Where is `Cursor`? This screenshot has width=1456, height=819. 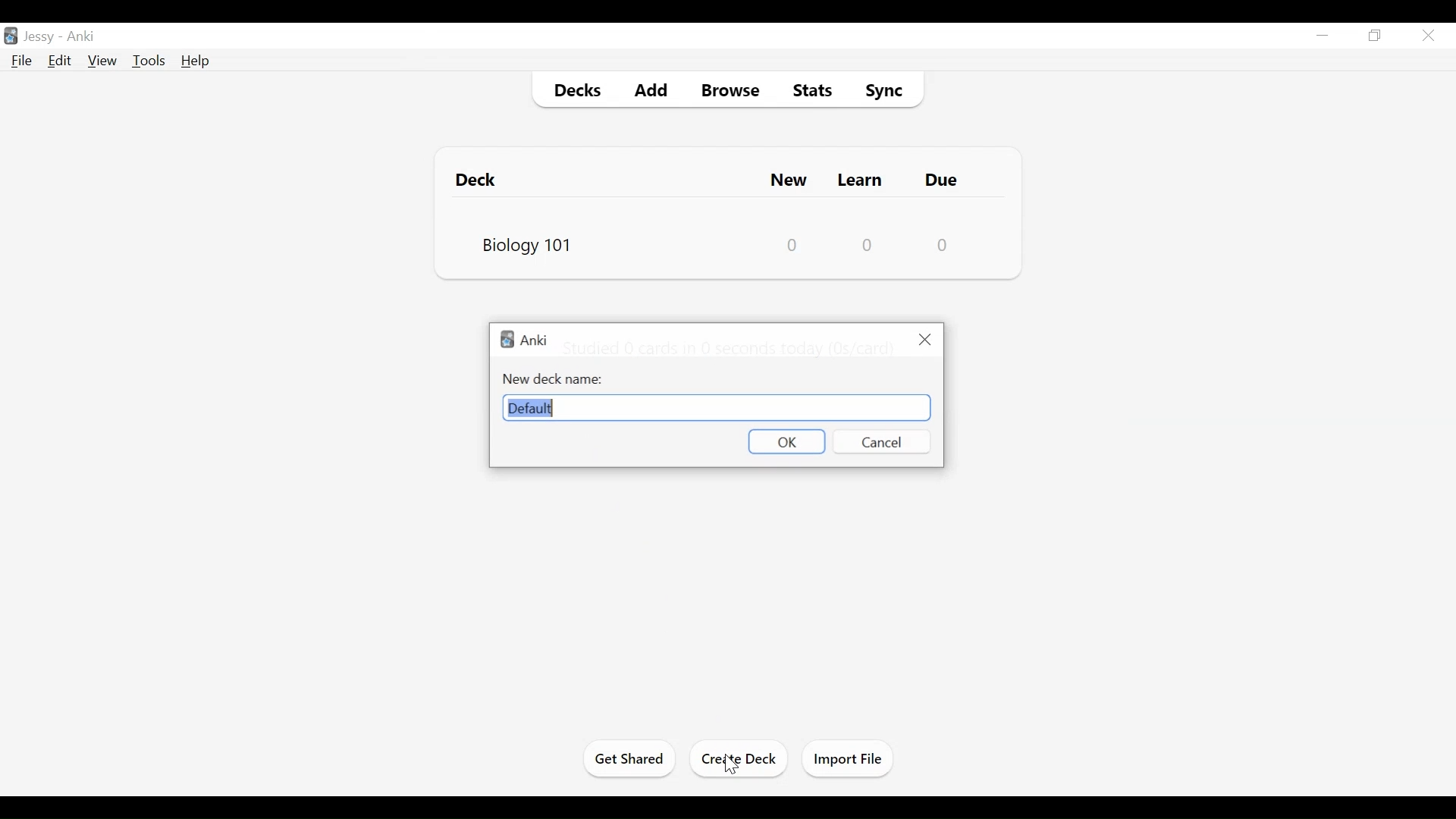
Cursor is located at coordinates (732, 766).